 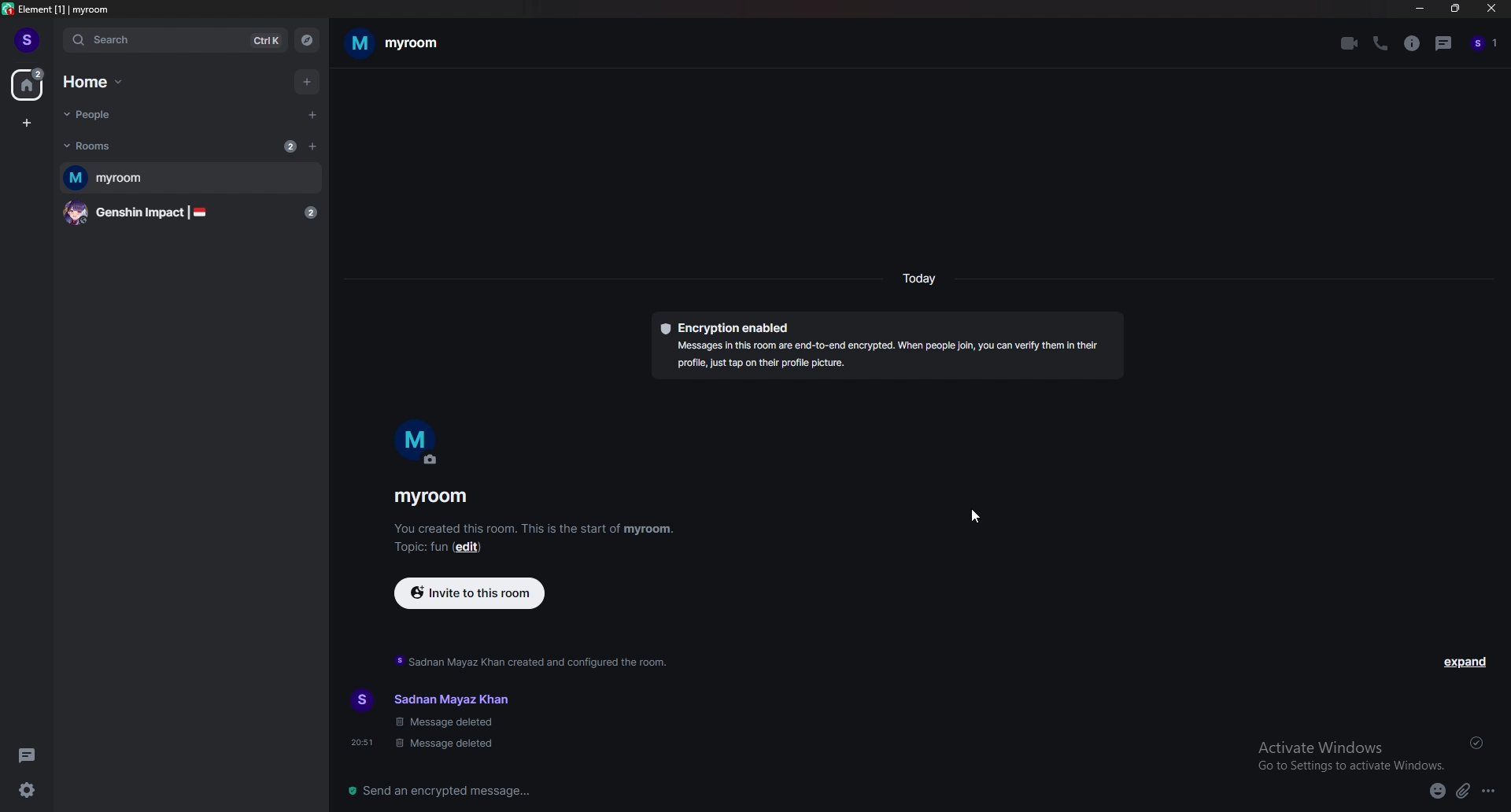 I want to click on home, so click(x=29, y=84).